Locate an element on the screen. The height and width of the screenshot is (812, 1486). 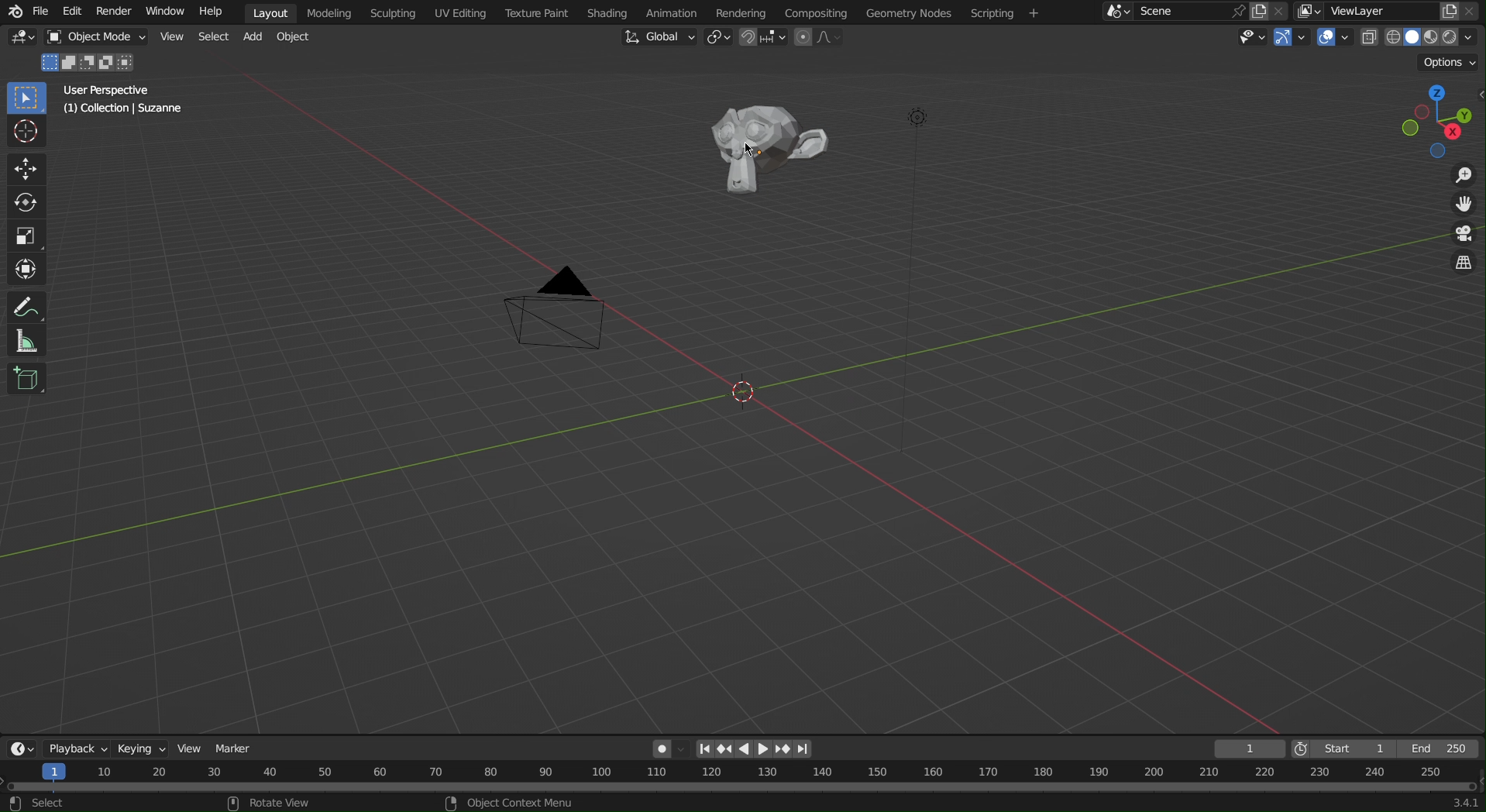
Overlays is located at coordinates (1335, 39).